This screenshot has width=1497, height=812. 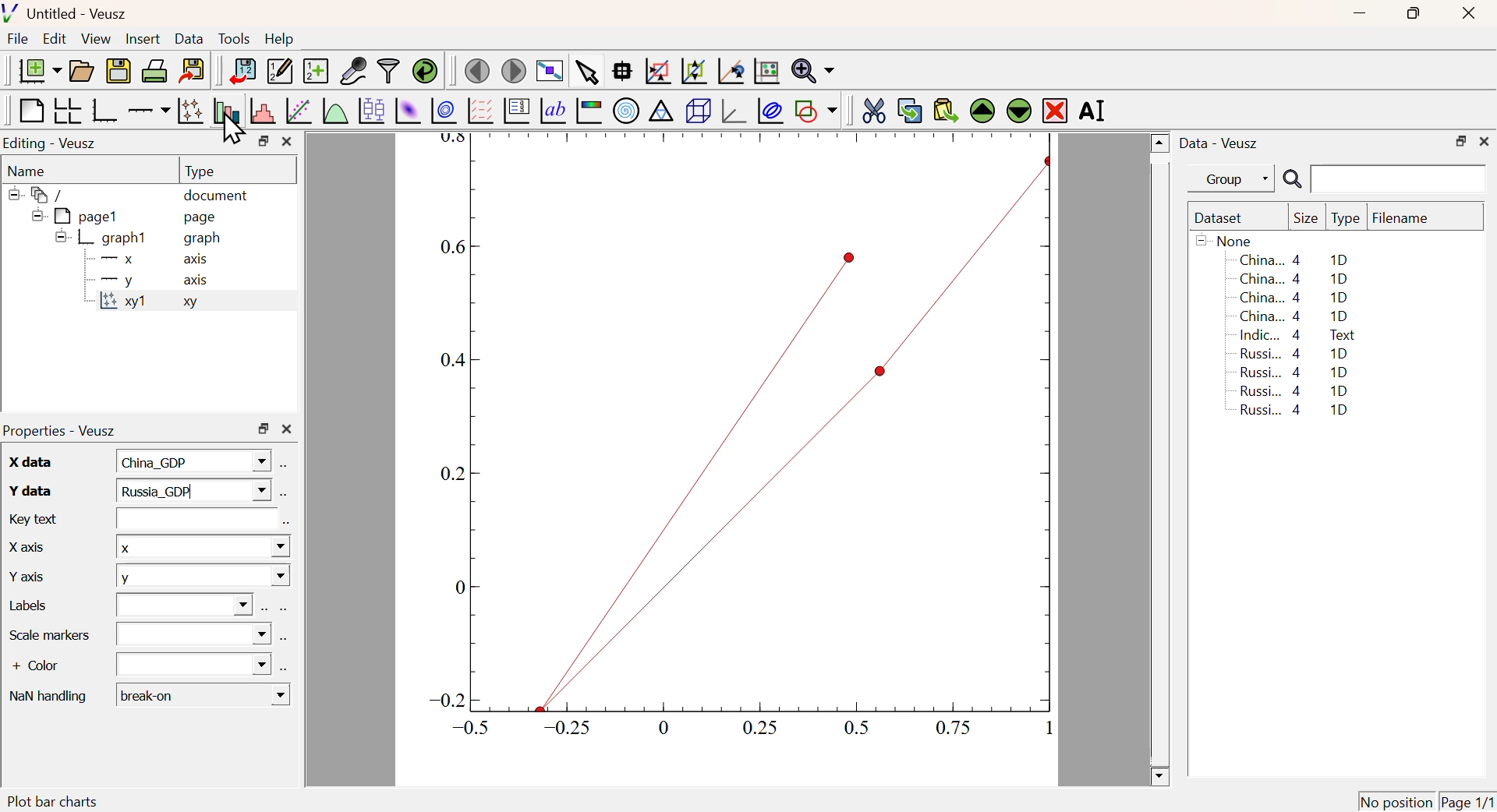 What do you see at coordinates (1485, 139) in the screenshot?
I see `Close` at bounding box center [1485, 139].